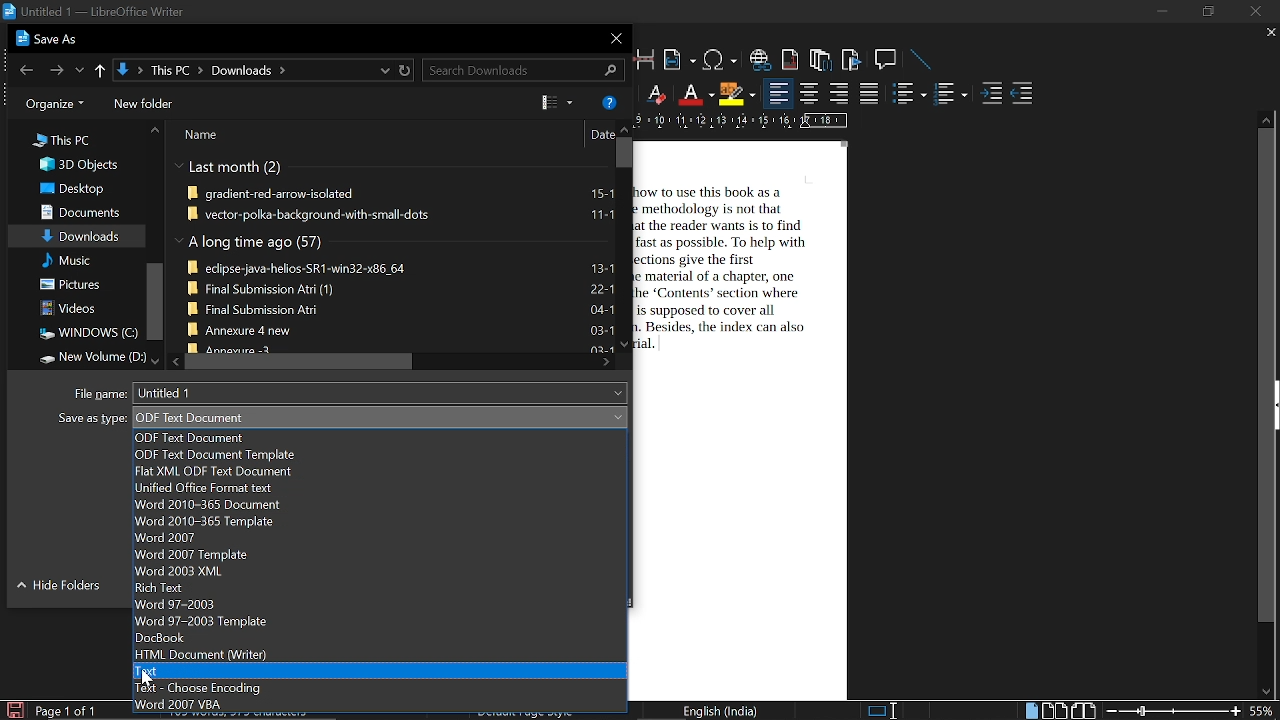 The height and width of the screenshot is (720, 1280). I want to click on eraser, so click(654, 93).